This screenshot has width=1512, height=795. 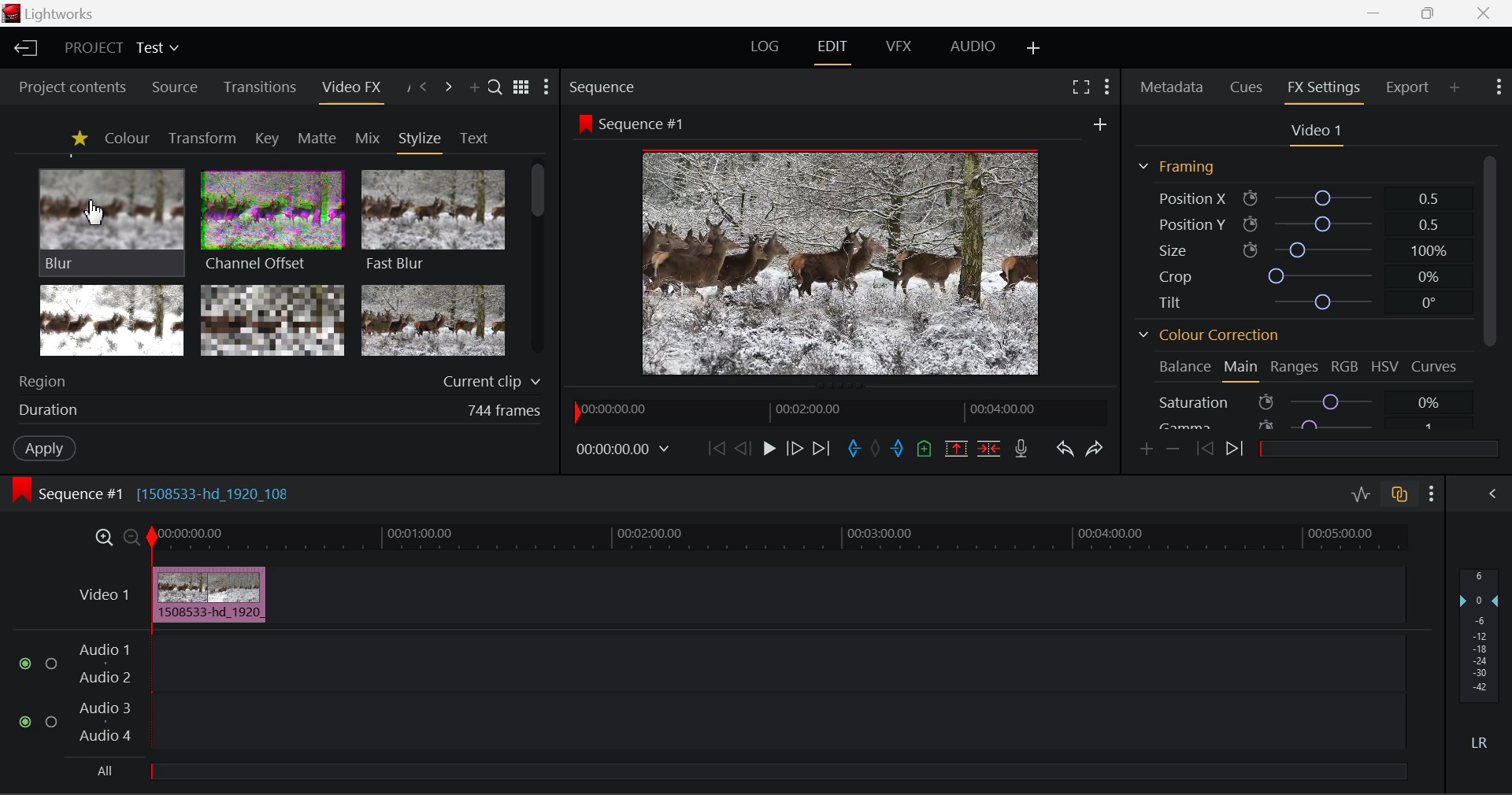 I want to click on Undo, so click(x=1063, y=446).